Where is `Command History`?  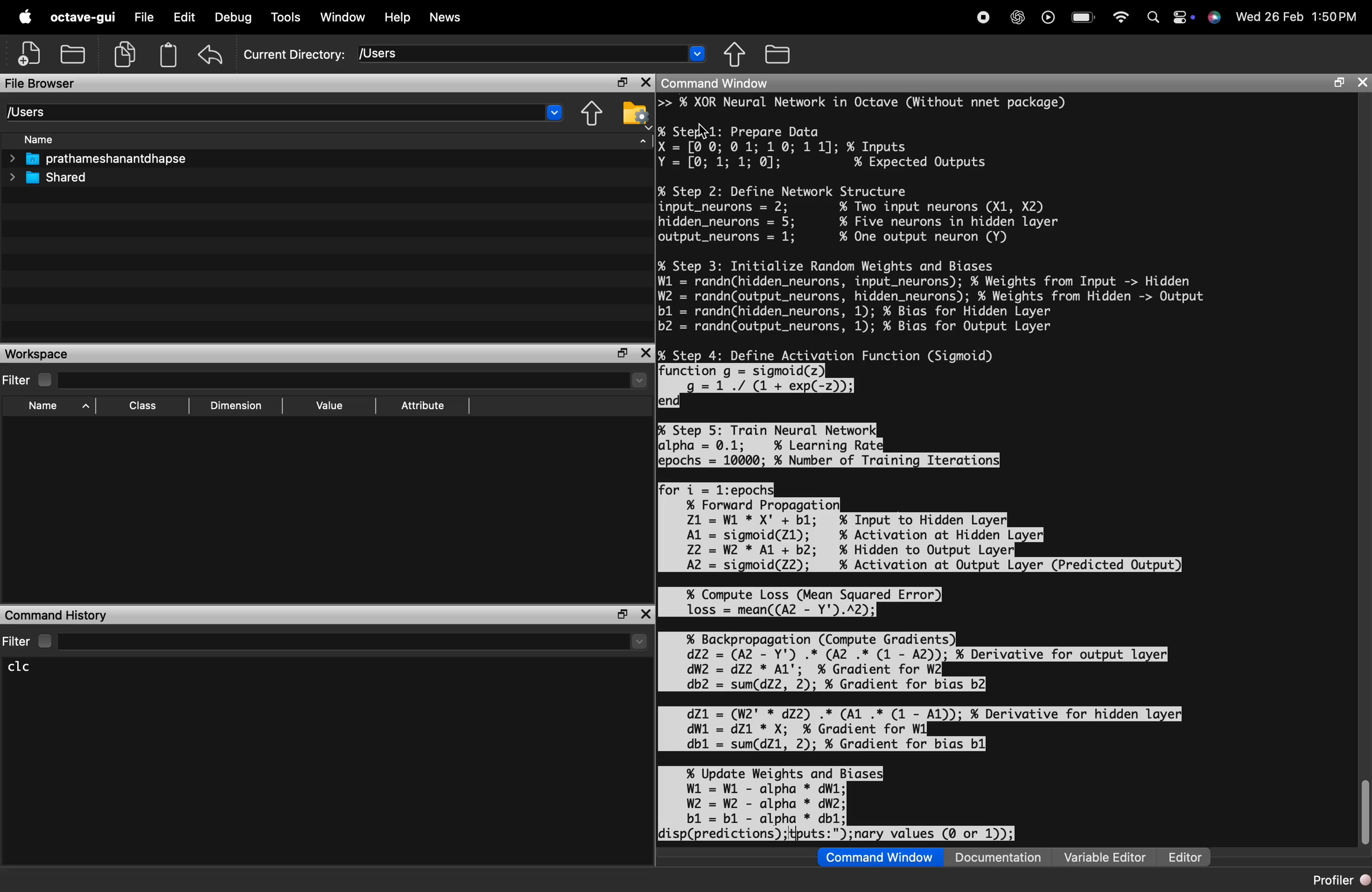
Command History is located at coordinates (57, 614).